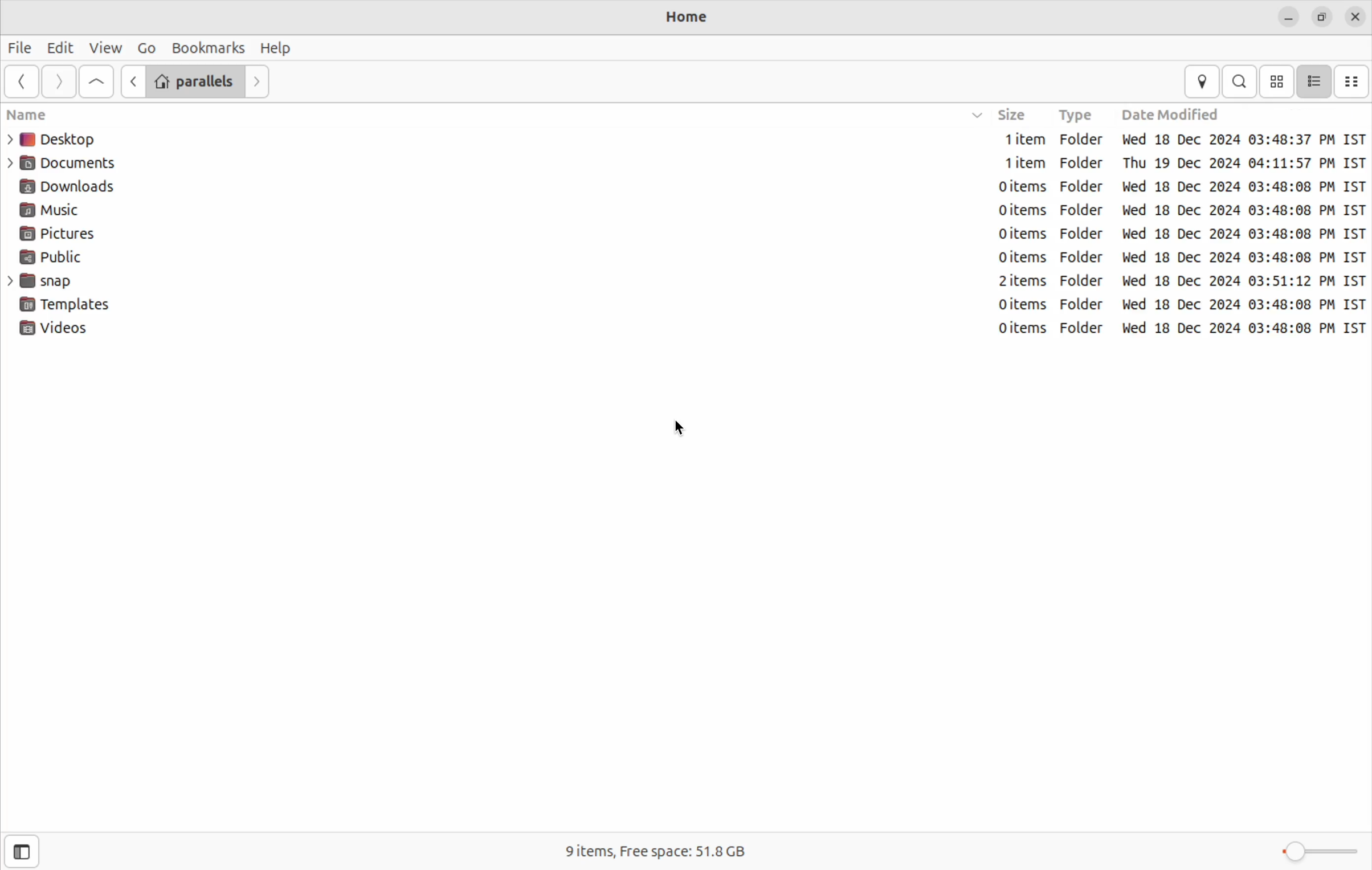 This screenshot has height=870, width=1372. Describe the element at coordinates (64, 114) in the screenshot. I see `Name` at that location.